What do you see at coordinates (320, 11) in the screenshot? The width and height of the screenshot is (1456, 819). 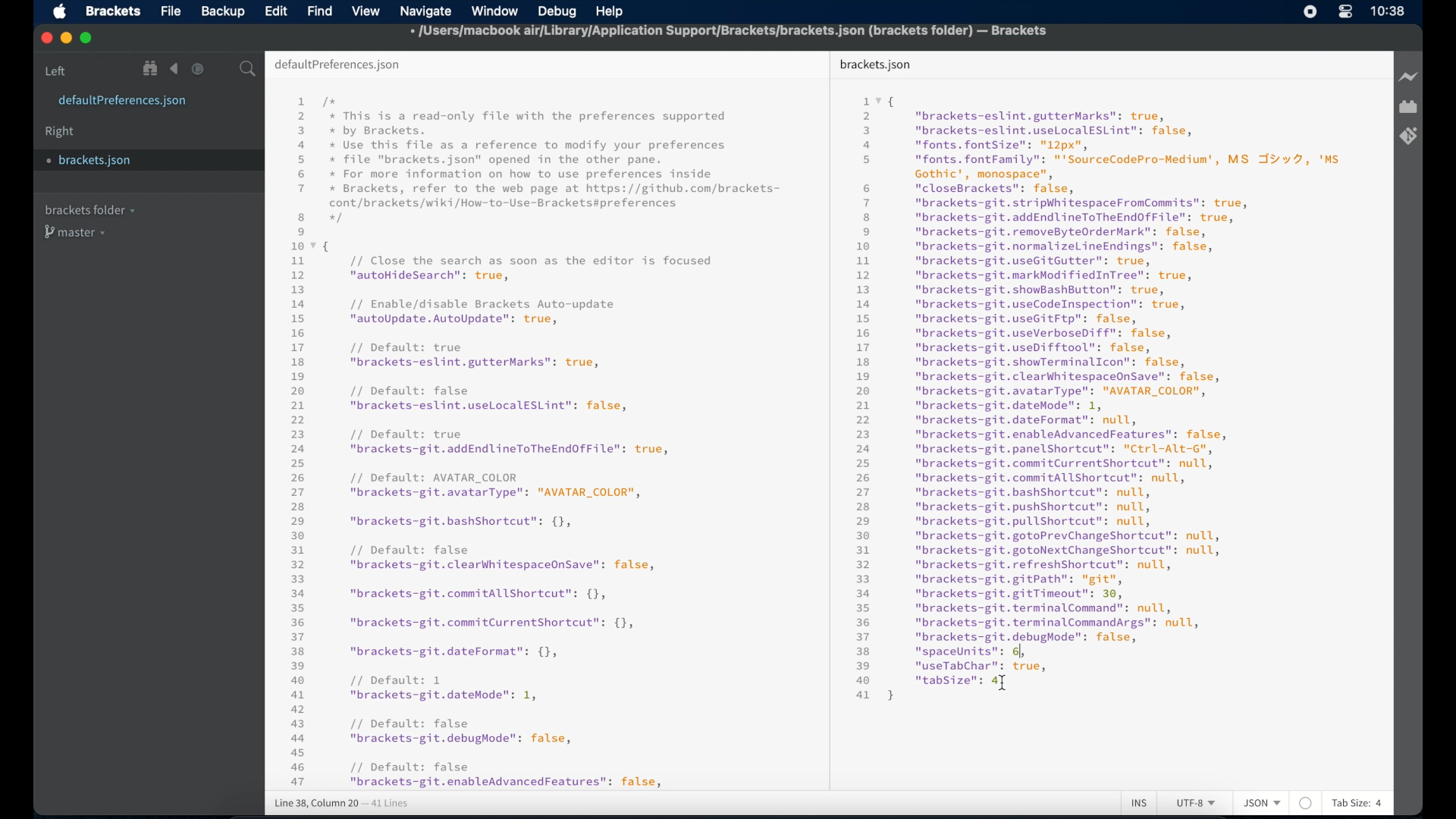 I see `find` at bounding box center [320, 11].